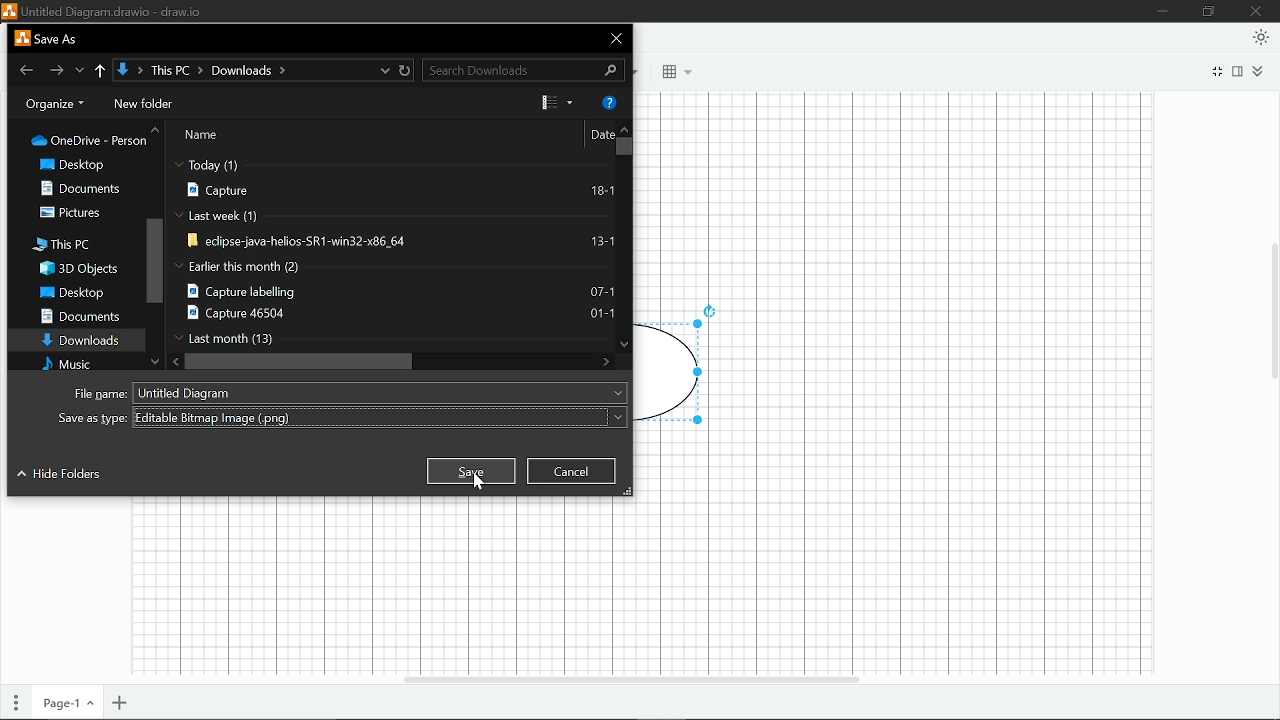  What do you see at coordinates (1165, 11) in the screenshot?
I see `minimize` at bounding box center [1165, 11].